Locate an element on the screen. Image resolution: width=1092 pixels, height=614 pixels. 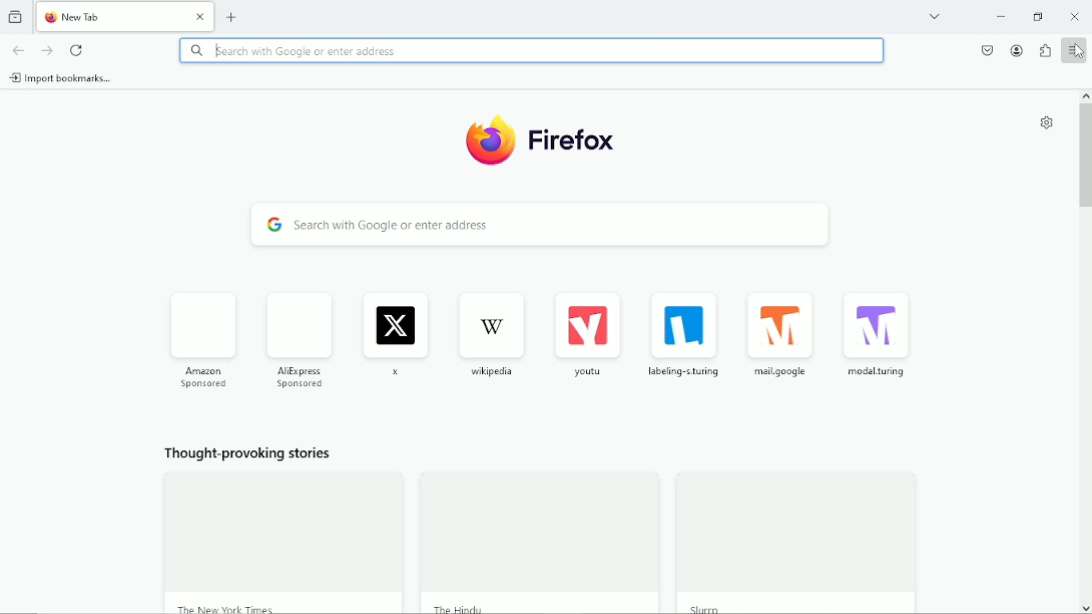
Vertical scrollbar is located at coordinates (1085, 161).